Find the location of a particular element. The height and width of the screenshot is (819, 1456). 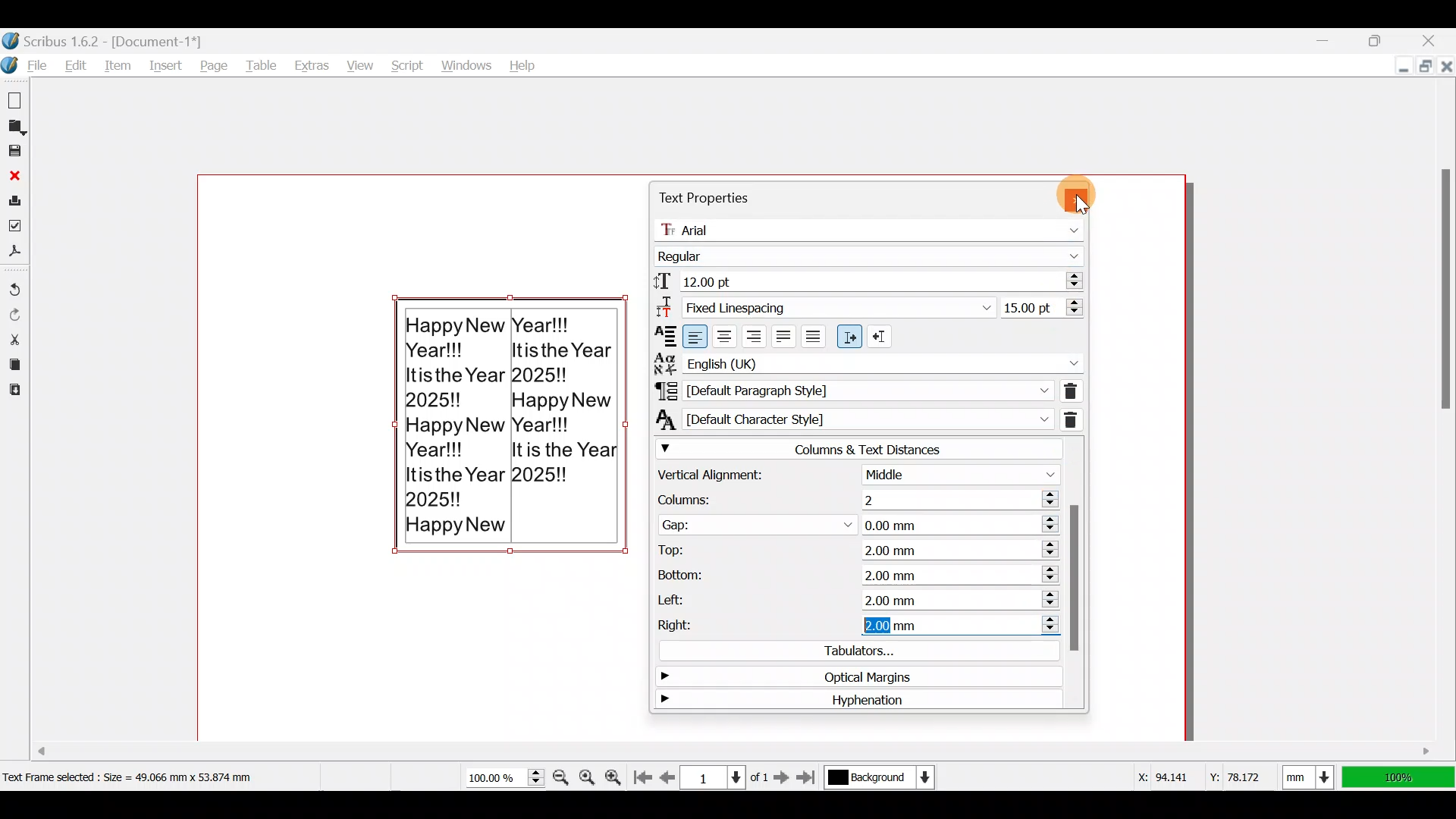

X-axis dimension values is located at coordinates (1159, 777).